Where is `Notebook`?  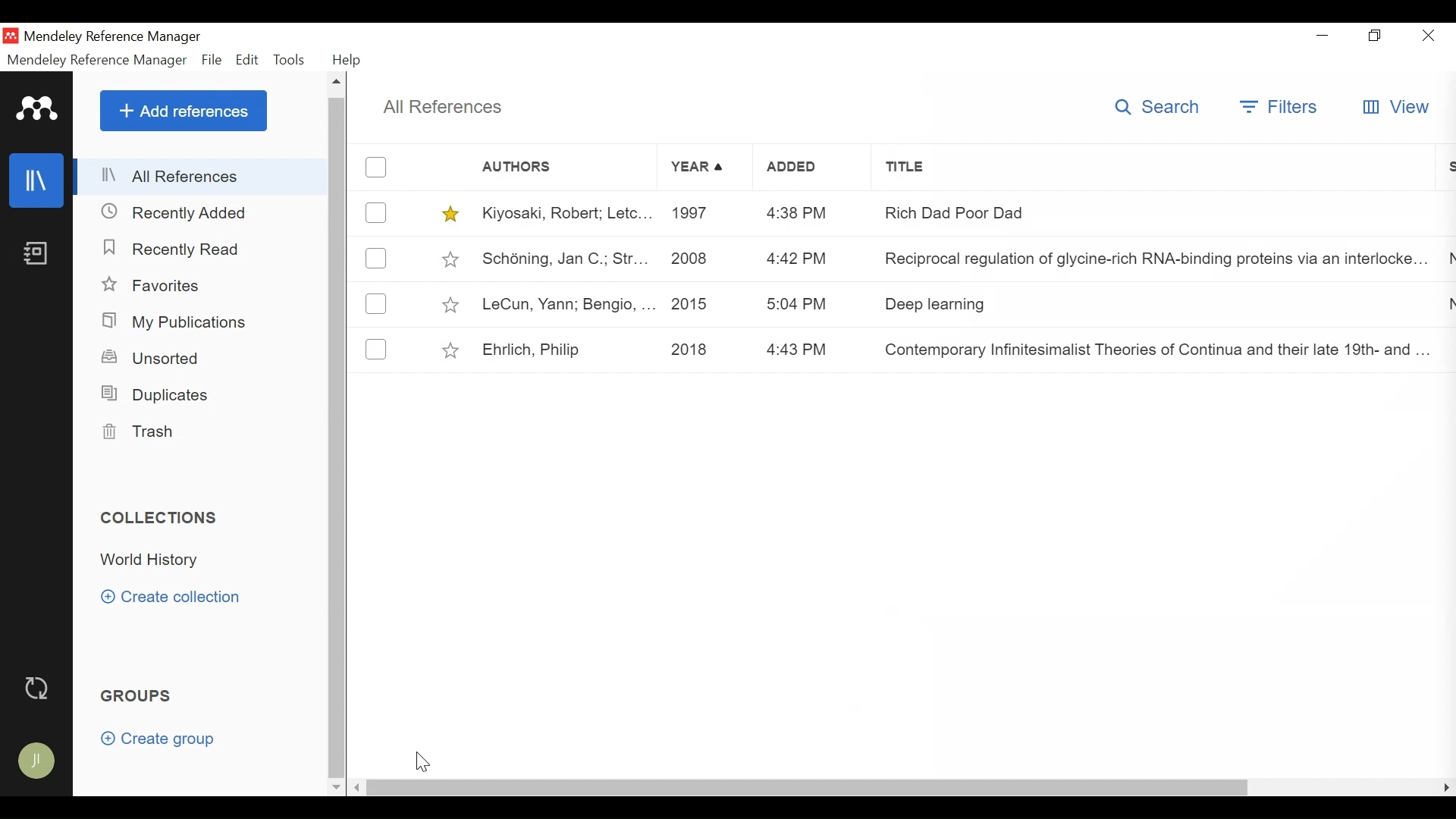 Notebook is located at coordinates (38, 254).